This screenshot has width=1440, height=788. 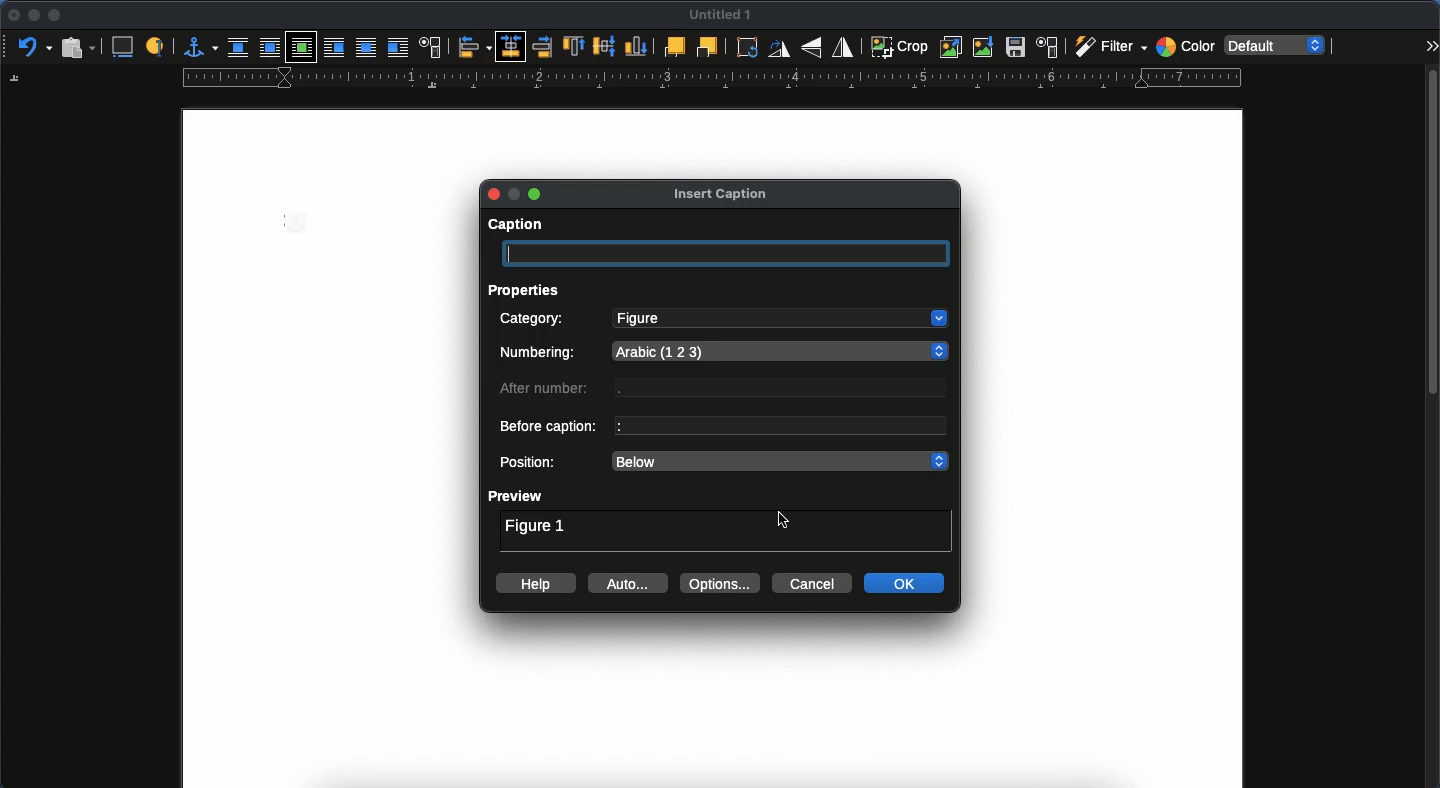 What do you see at coordinates (537, 195) in the screenshot?
I see `maximize` at bounding box center [537, 195].